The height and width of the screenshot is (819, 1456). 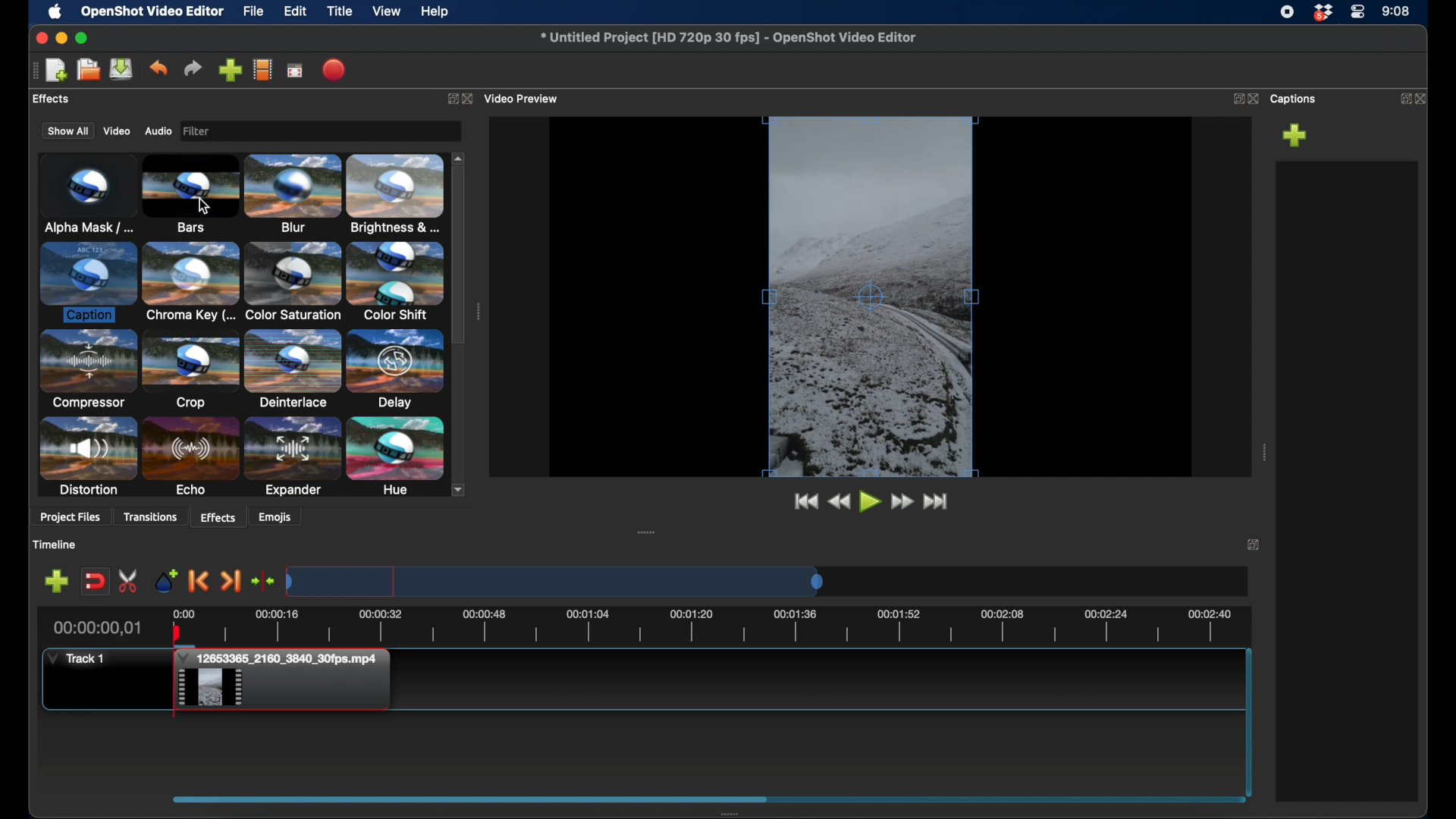 I want to click on timeline, so click(x=726, y=626).